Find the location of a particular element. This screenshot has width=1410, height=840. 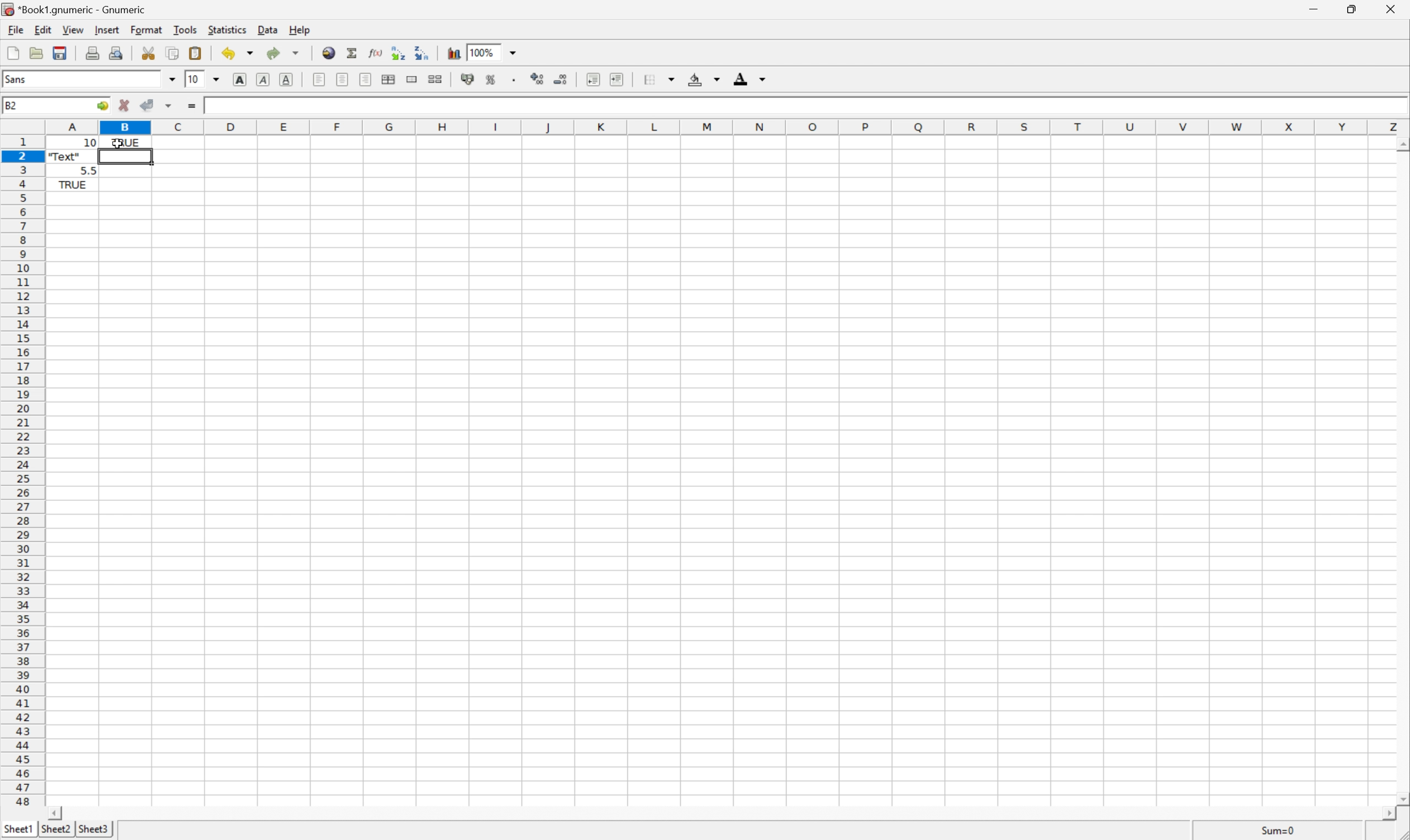

Row Numbers is located at coordinates (21, 473).